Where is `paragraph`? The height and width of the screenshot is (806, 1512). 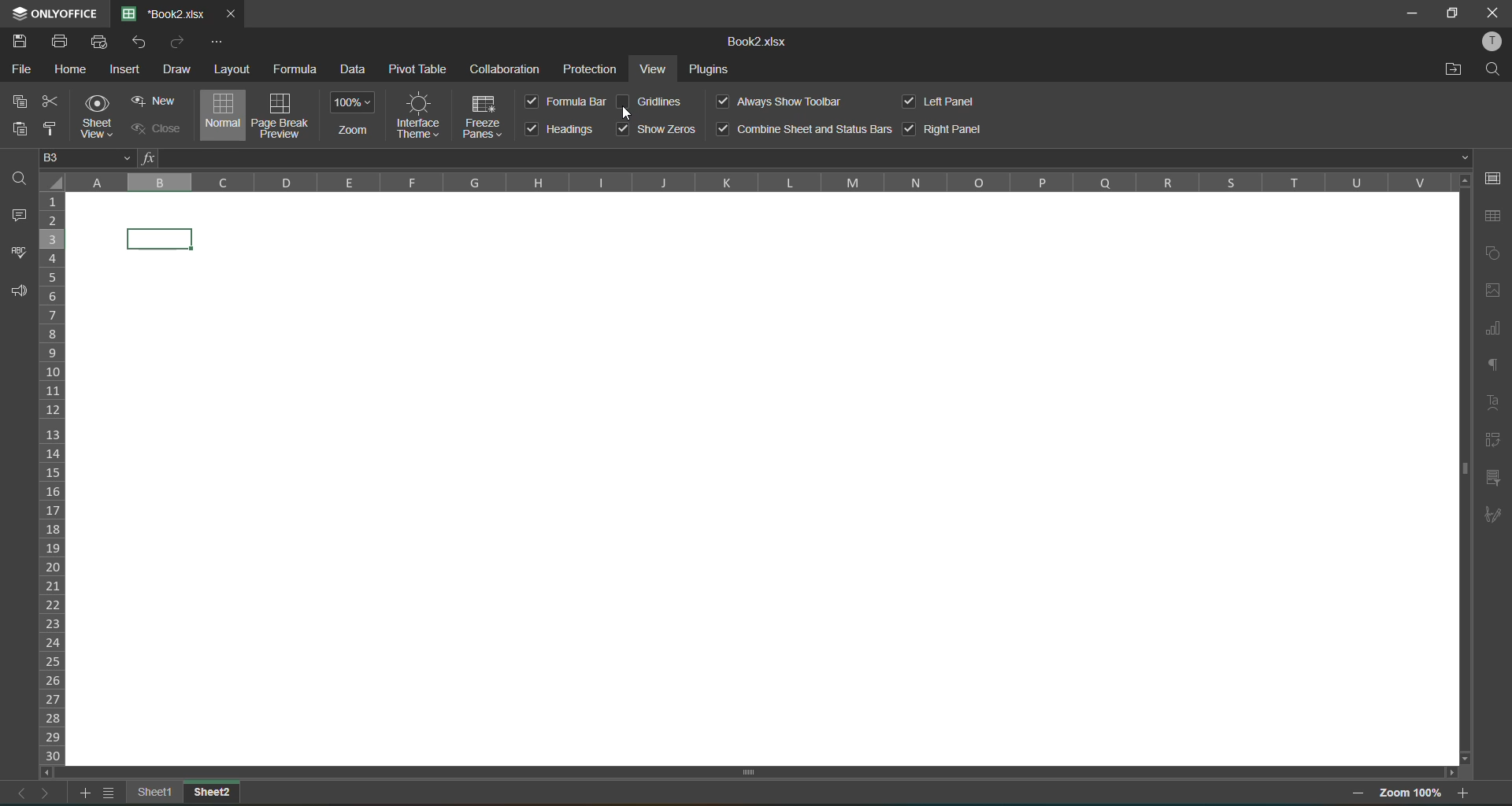 paragraph is located at coordinates (1495, 364).